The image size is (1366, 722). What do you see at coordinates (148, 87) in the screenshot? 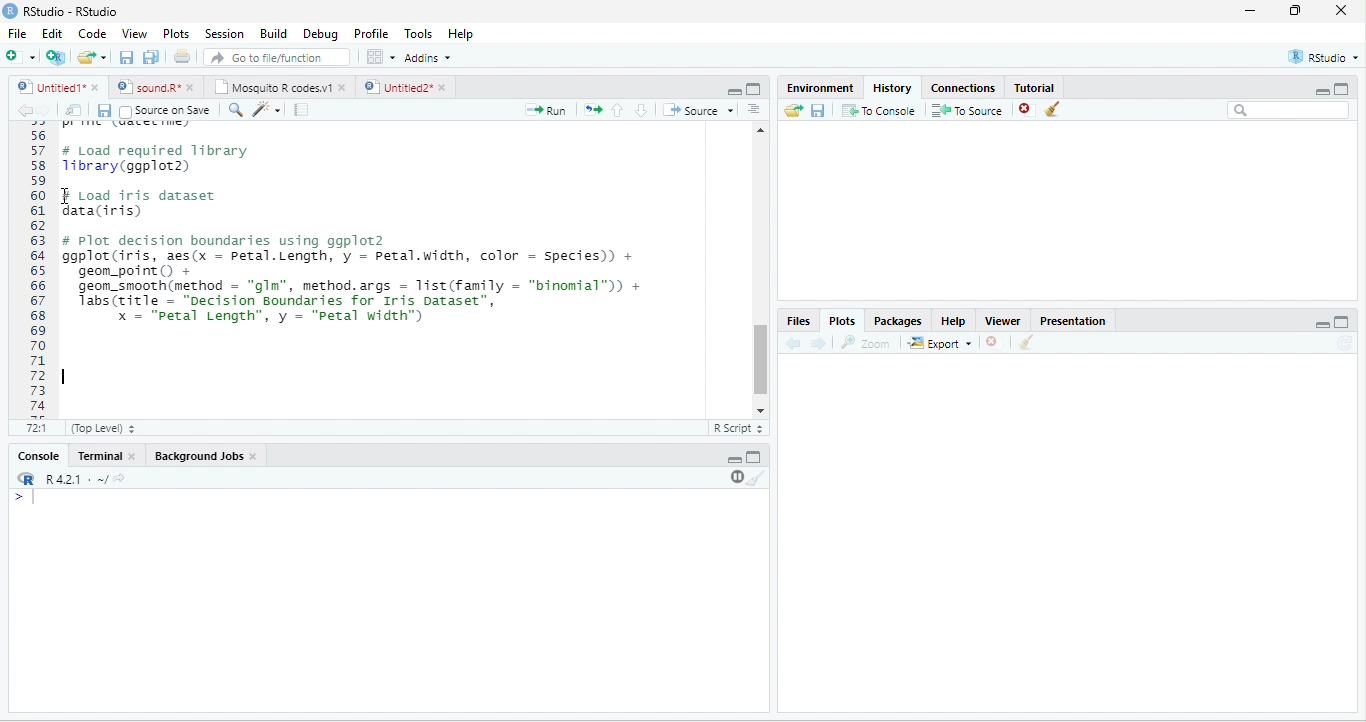
I see `sound.R` at bounding box center [148, 87].